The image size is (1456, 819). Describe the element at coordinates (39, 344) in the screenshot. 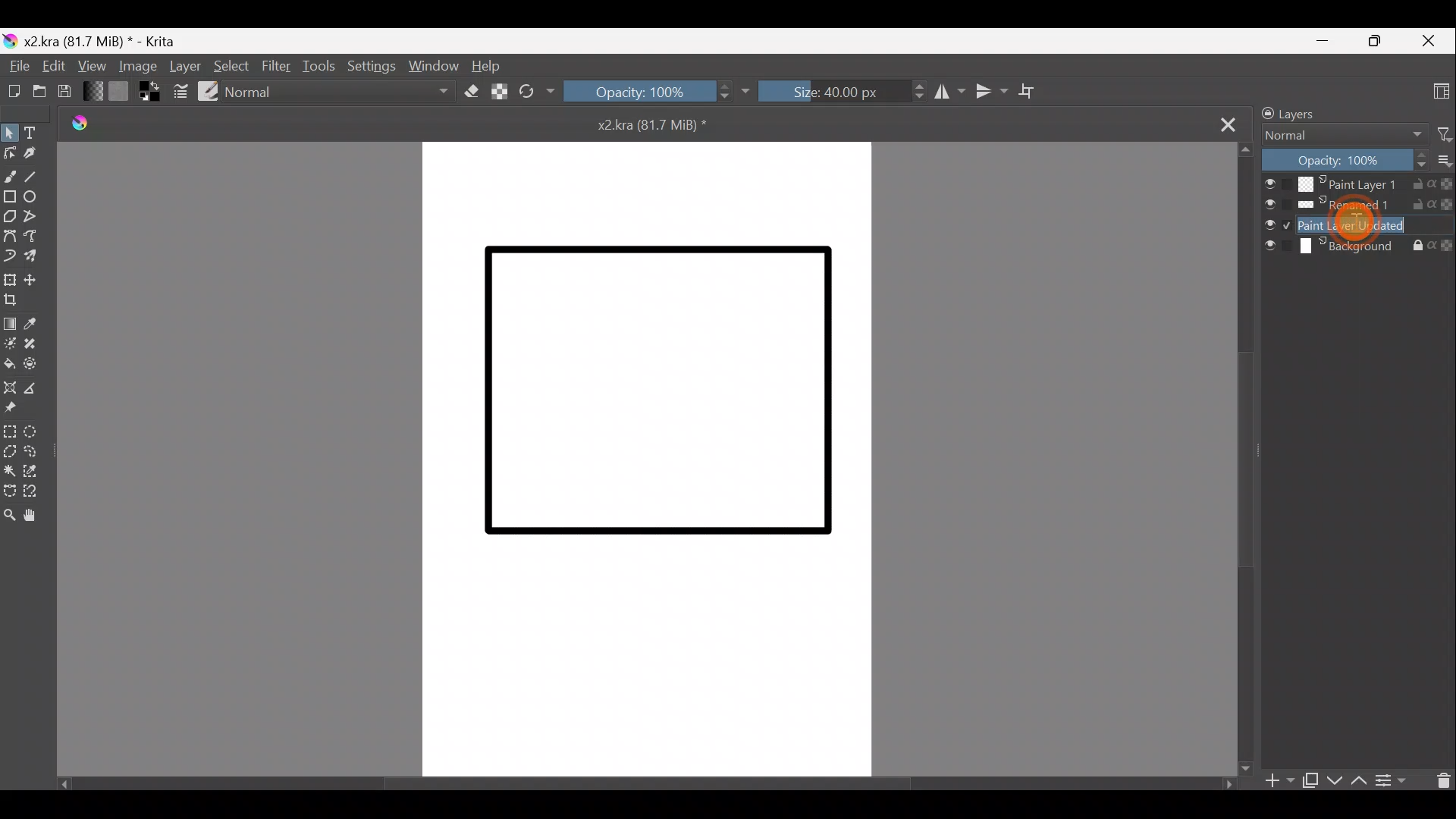

I see `Smart patch tool` at that location.